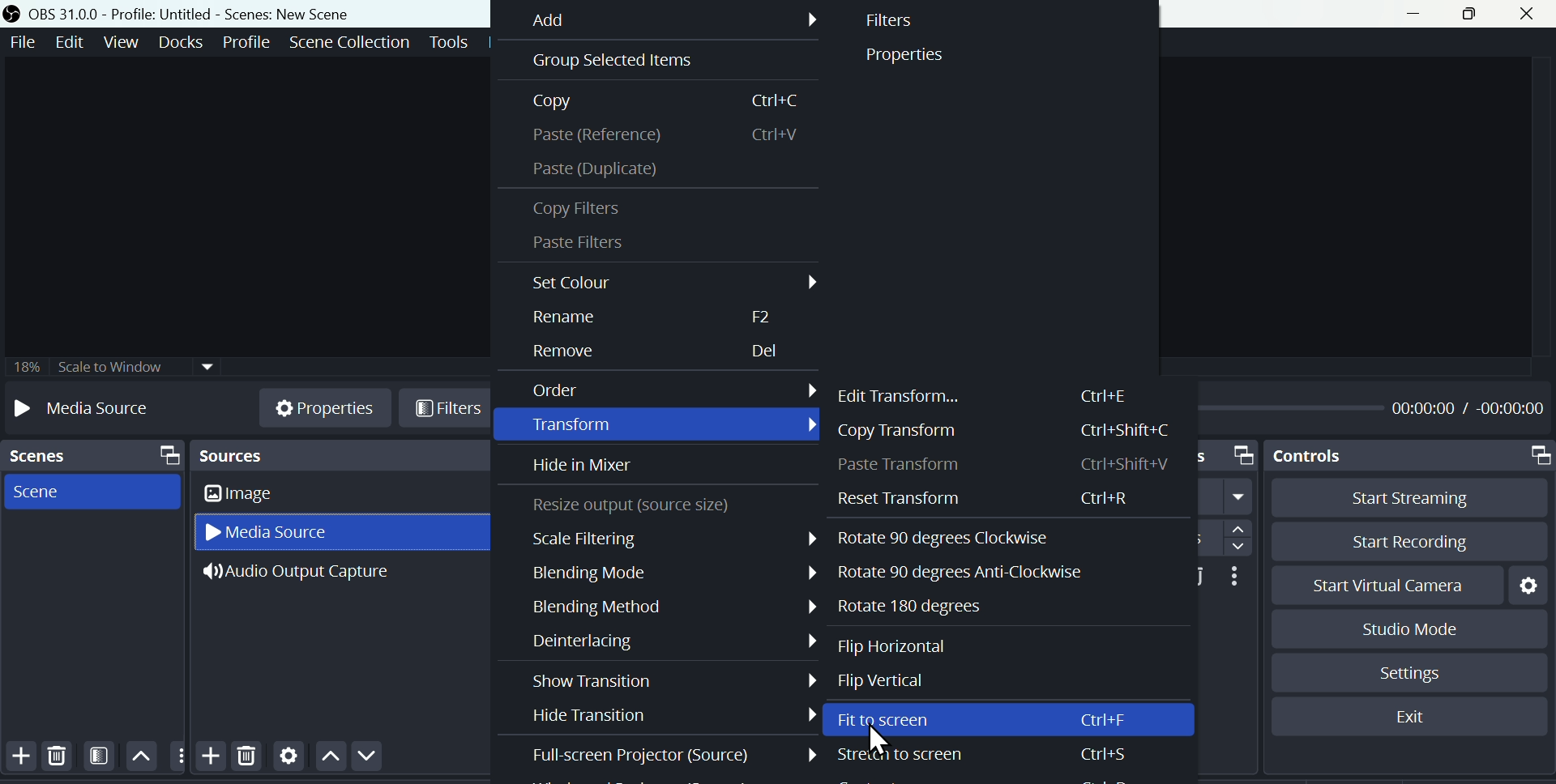 The height and width of the screenshot is (784, 1556). Describe the element at coordinates (914, 605) in the screenshot. I see `Rotate 180 degrees` at that location.